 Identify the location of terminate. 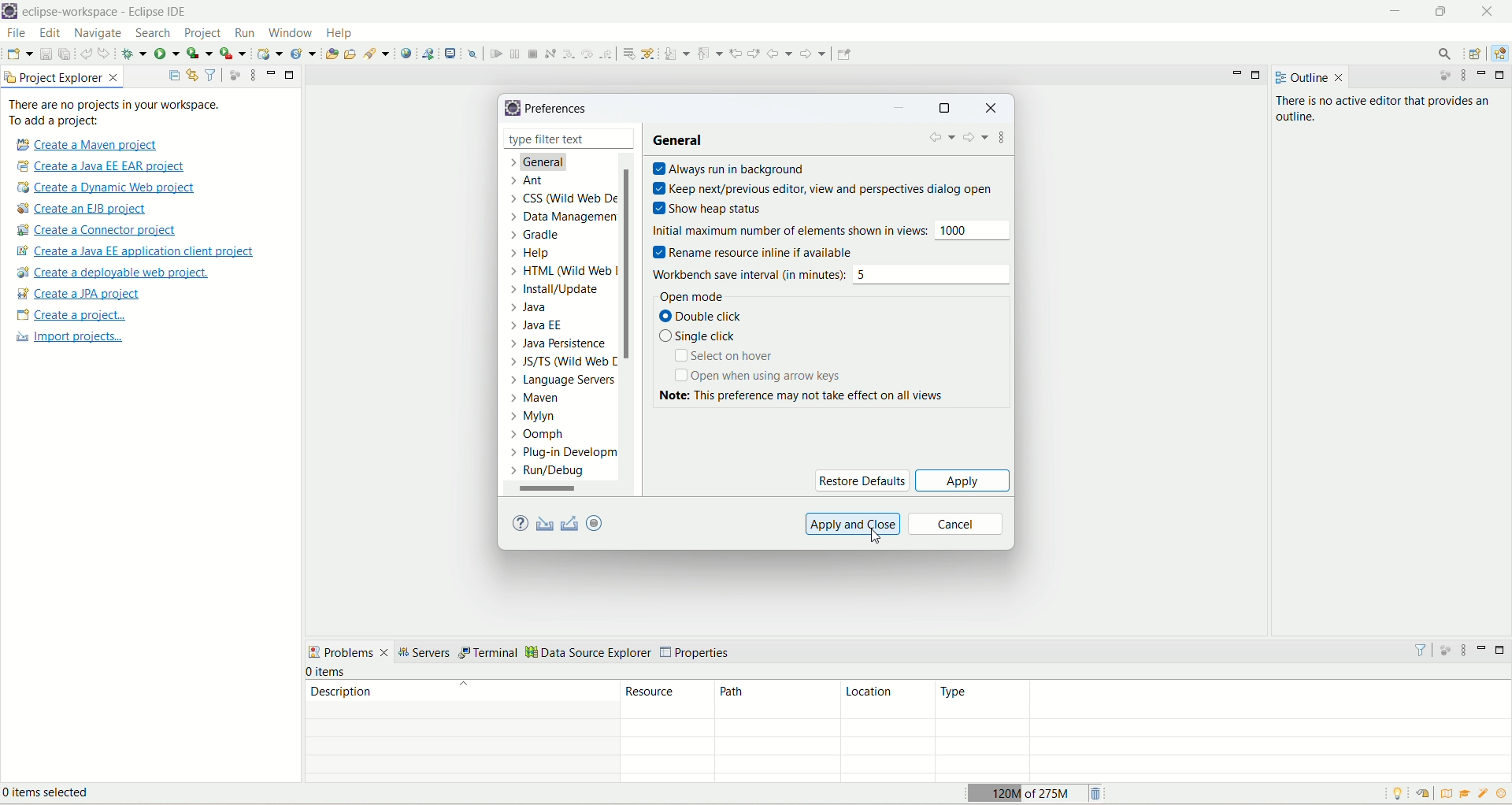
(535, 54).